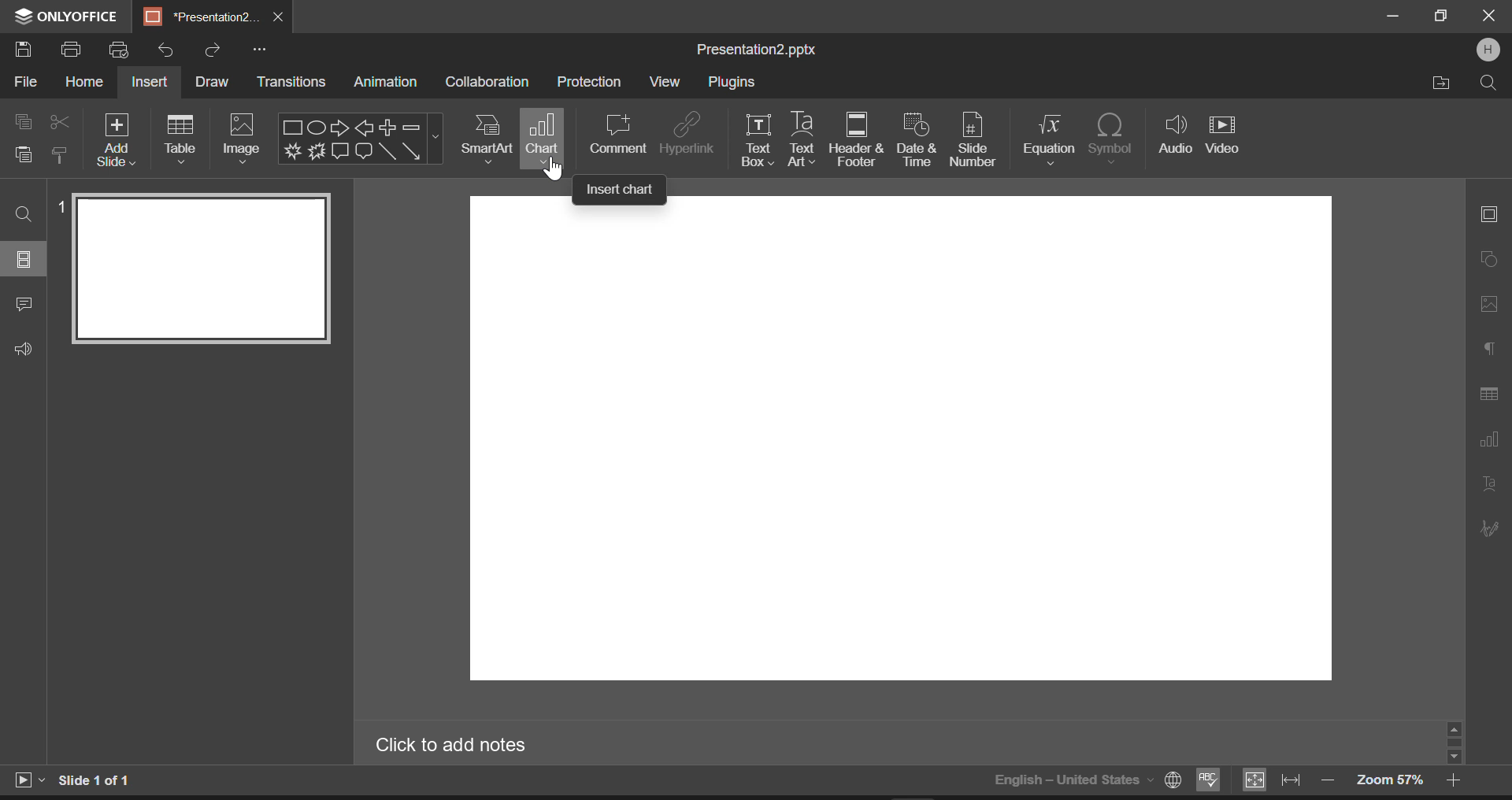  What do you see at coordinates (461, 745) in the screenshot?
I see `Click to add notes` at bounding box center [461, 745].